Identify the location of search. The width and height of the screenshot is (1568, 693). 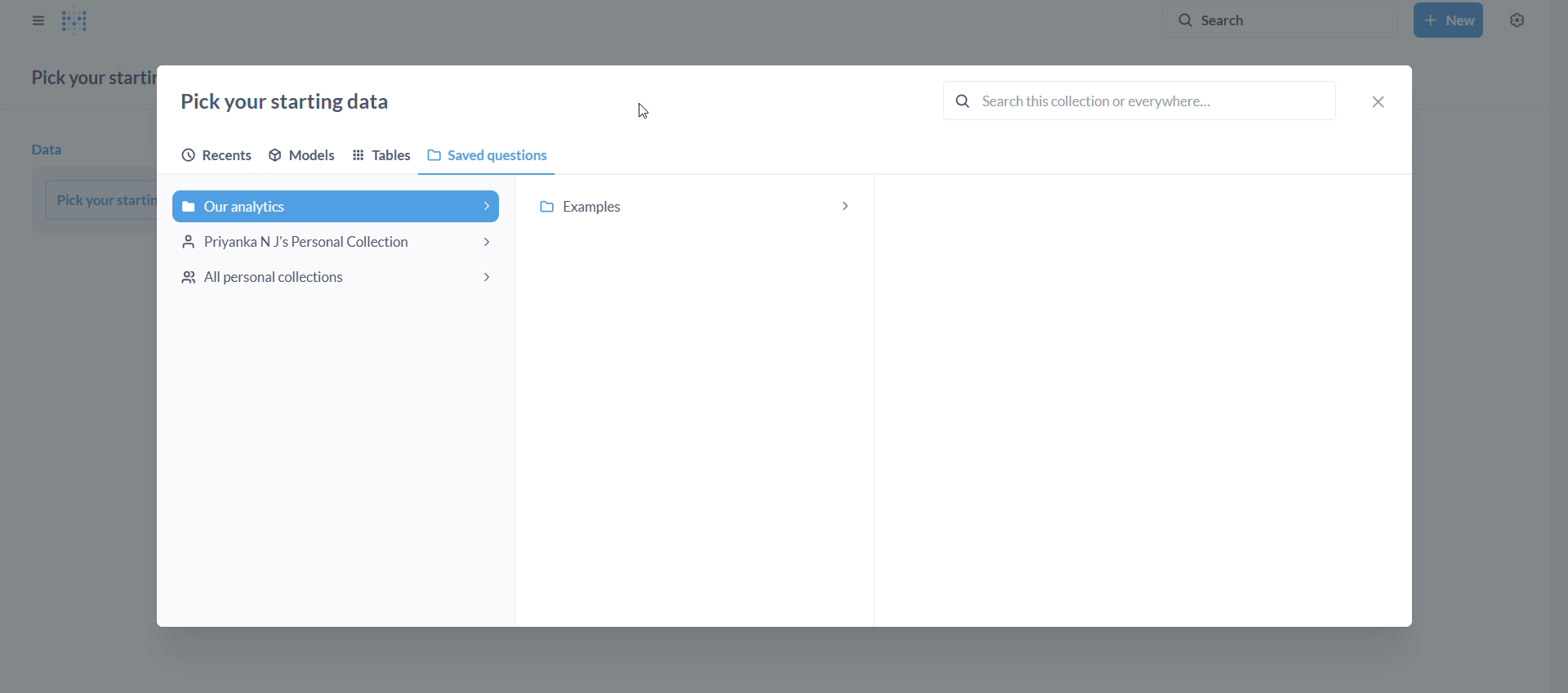
(1140, 101).